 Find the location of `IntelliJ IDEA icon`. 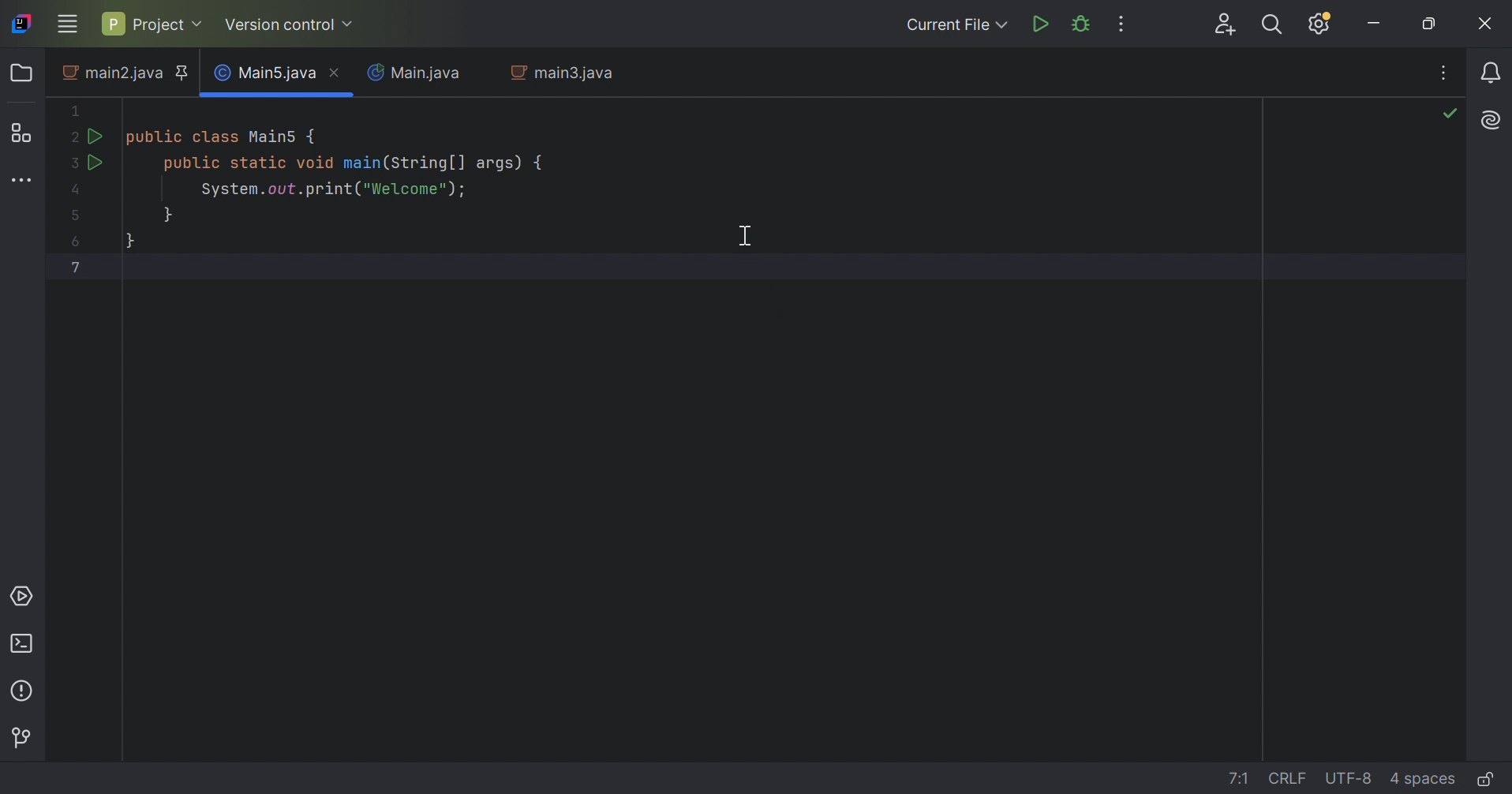

IntelliJ IDEA icon is located at coordinates (24, 23).